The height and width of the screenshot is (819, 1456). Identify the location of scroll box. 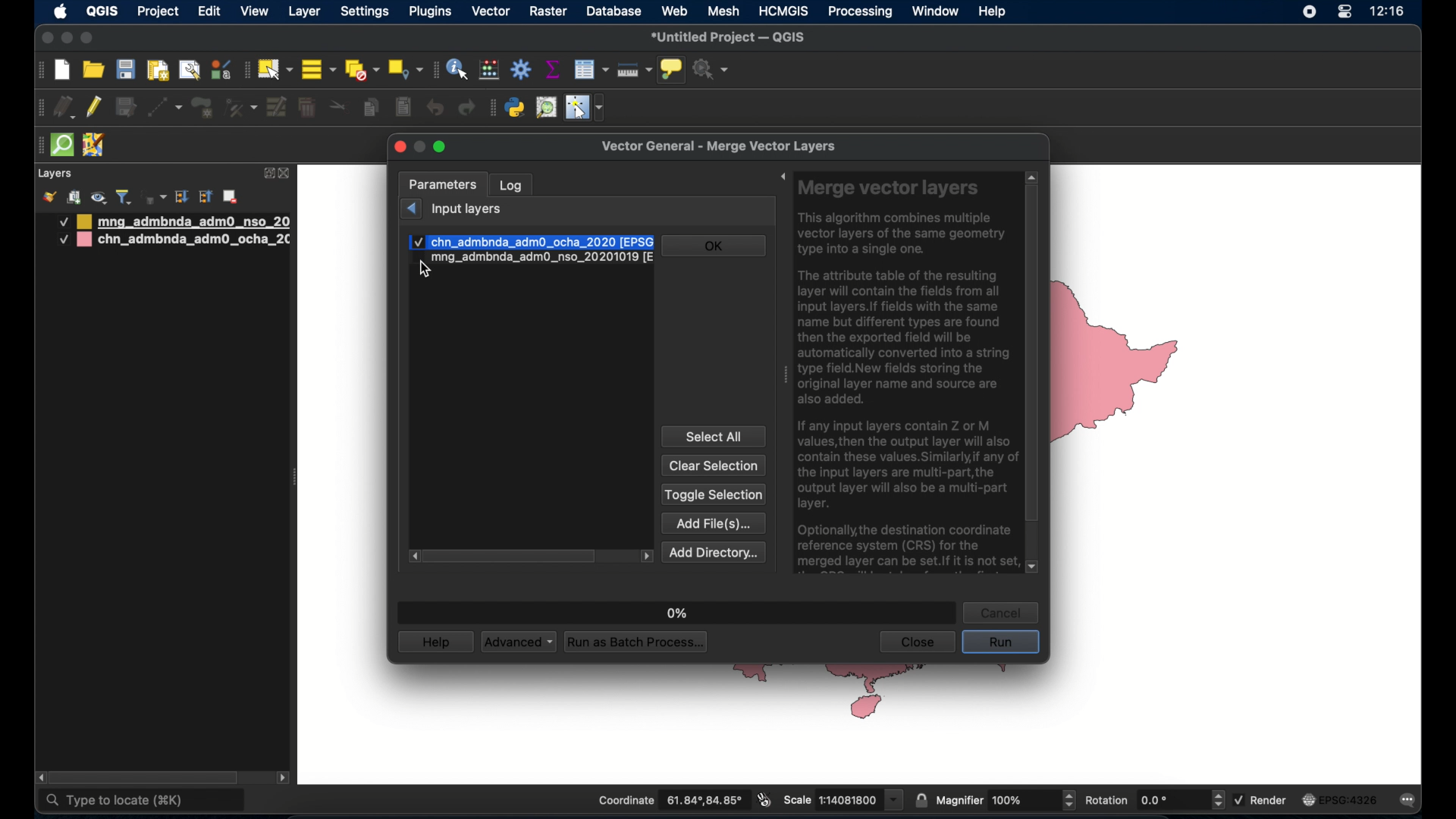
(511, 557).